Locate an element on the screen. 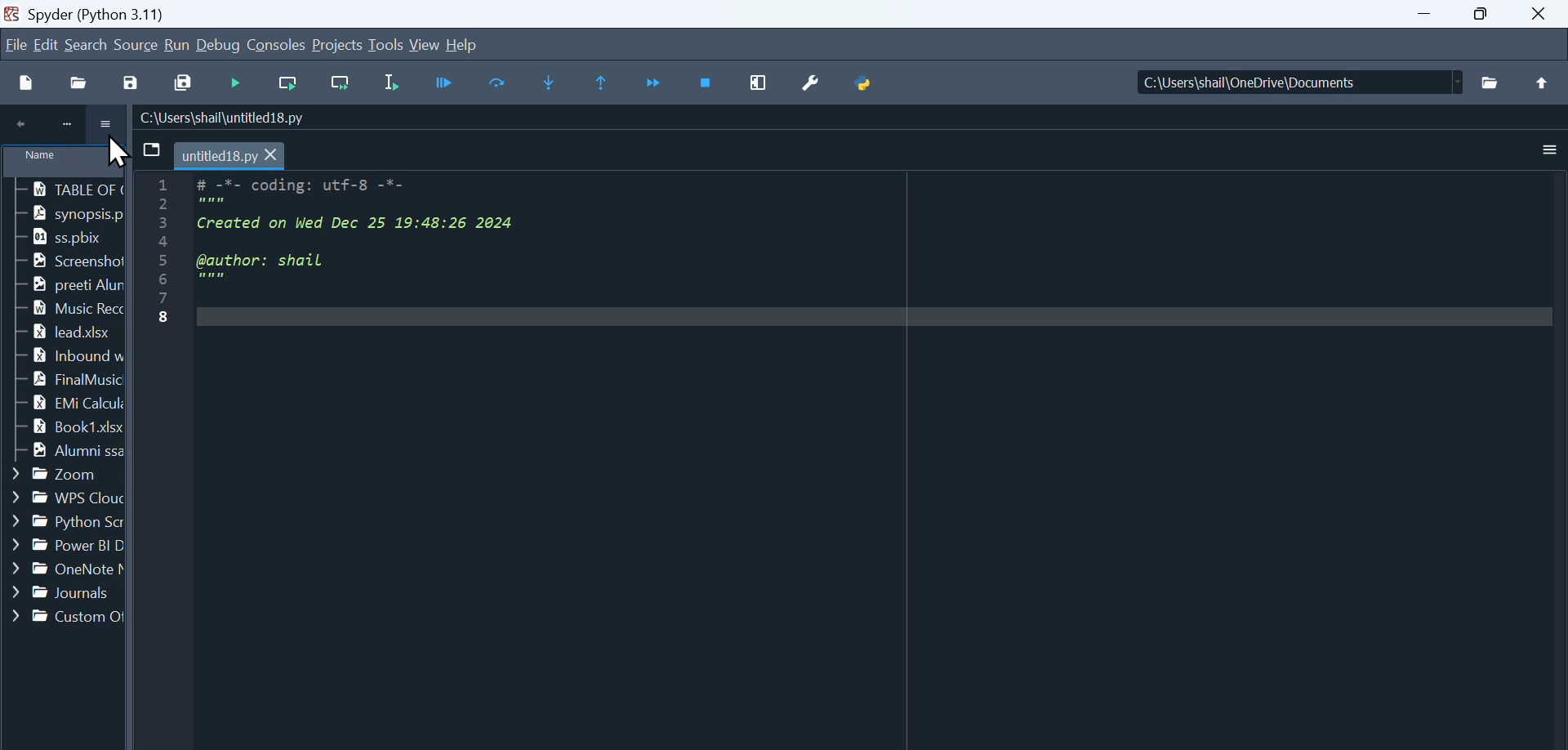 This screenshot has width=1568, height=750. View is located at coordinates (425, 44).